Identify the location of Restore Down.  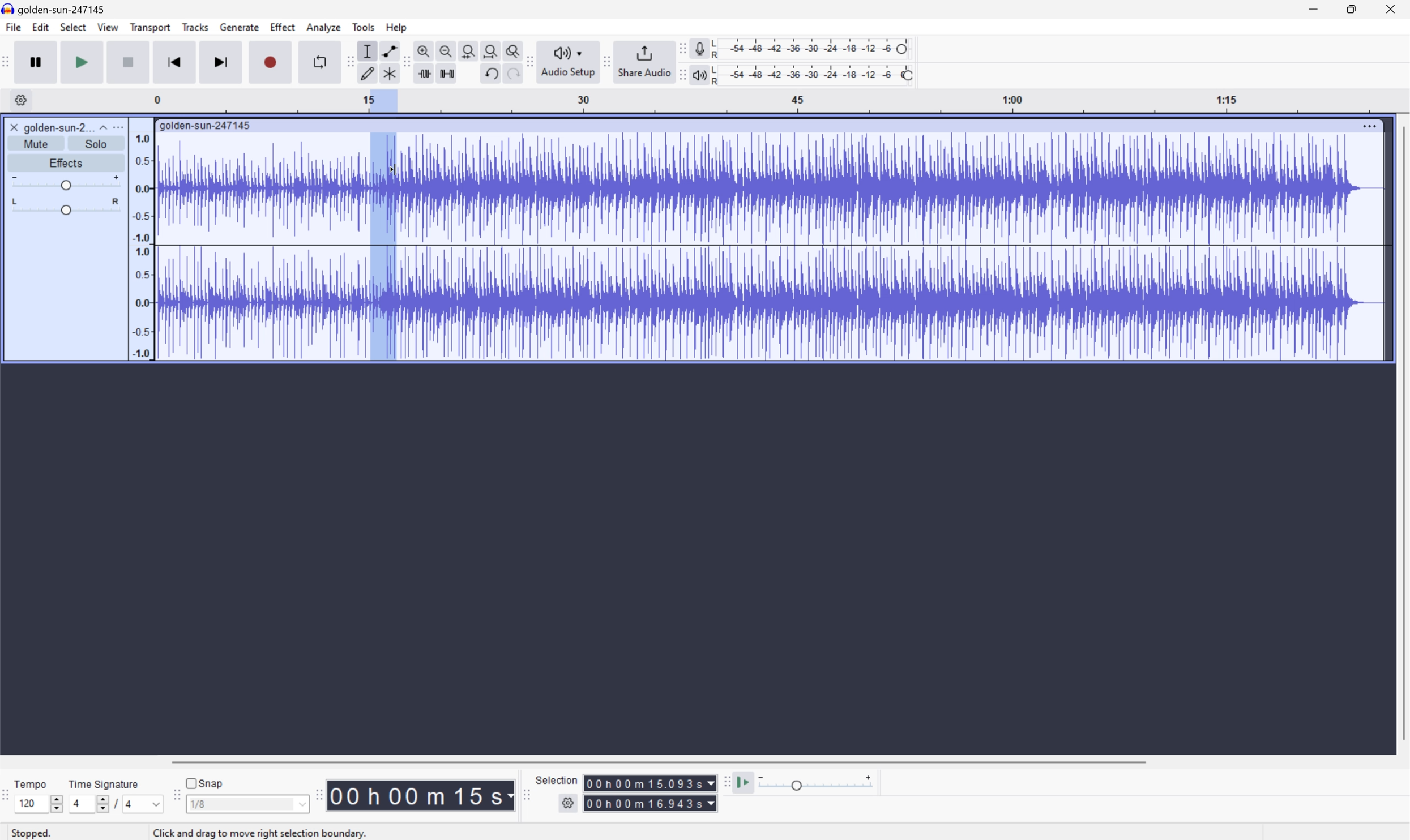
(1348, 8).